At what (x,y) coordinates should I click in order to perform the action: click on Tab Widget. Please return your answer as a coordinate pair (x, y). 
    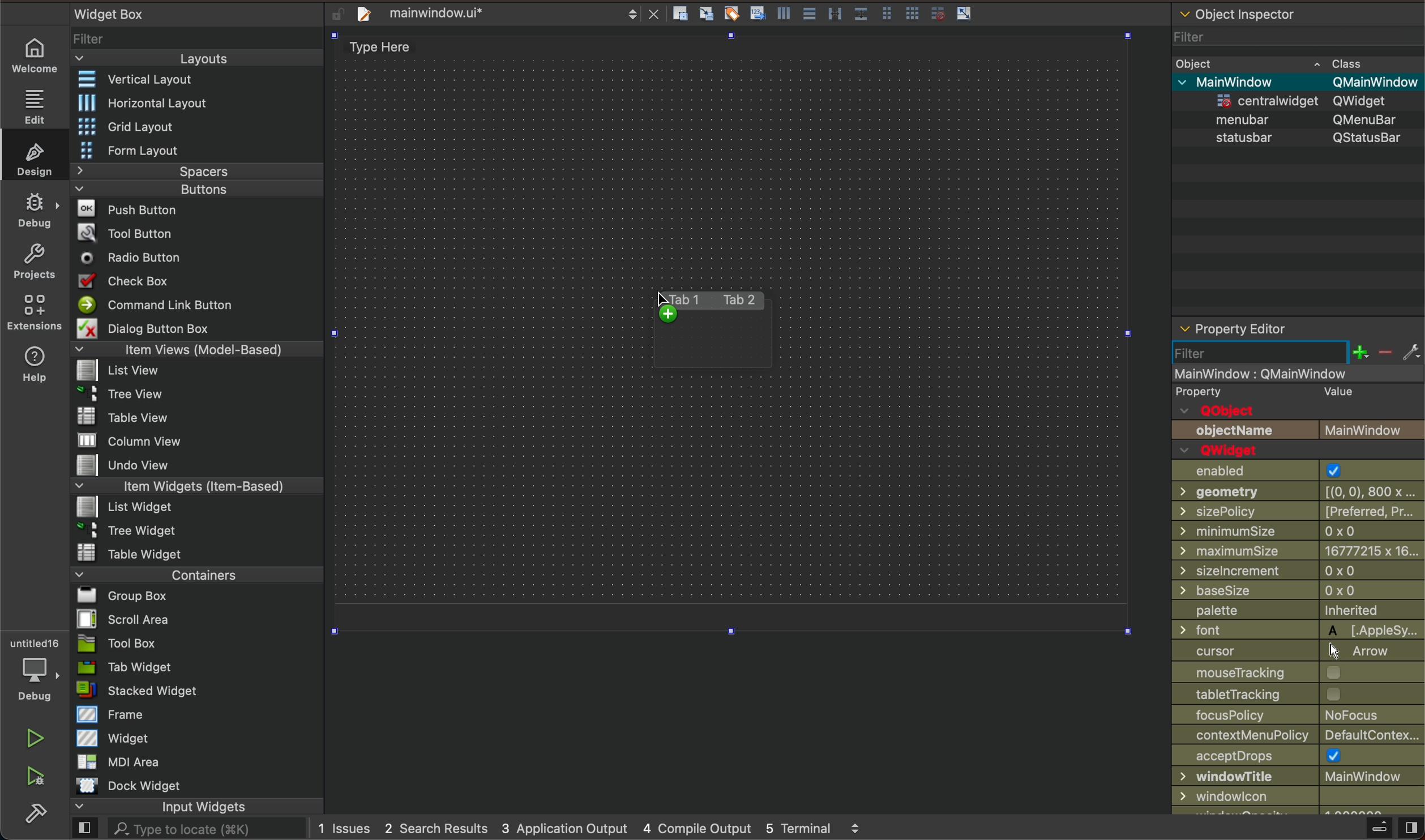
    Looking at the image, I should click on (134, 667).